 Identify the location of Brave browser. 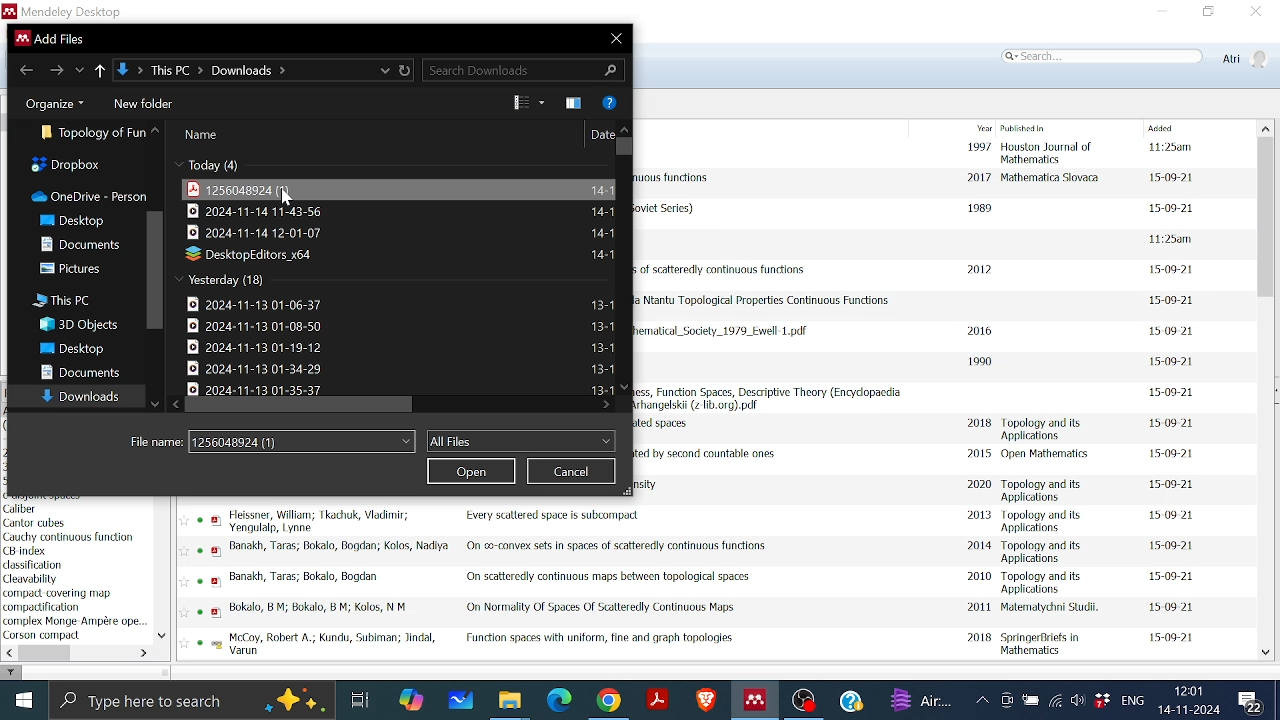
(708, 700).